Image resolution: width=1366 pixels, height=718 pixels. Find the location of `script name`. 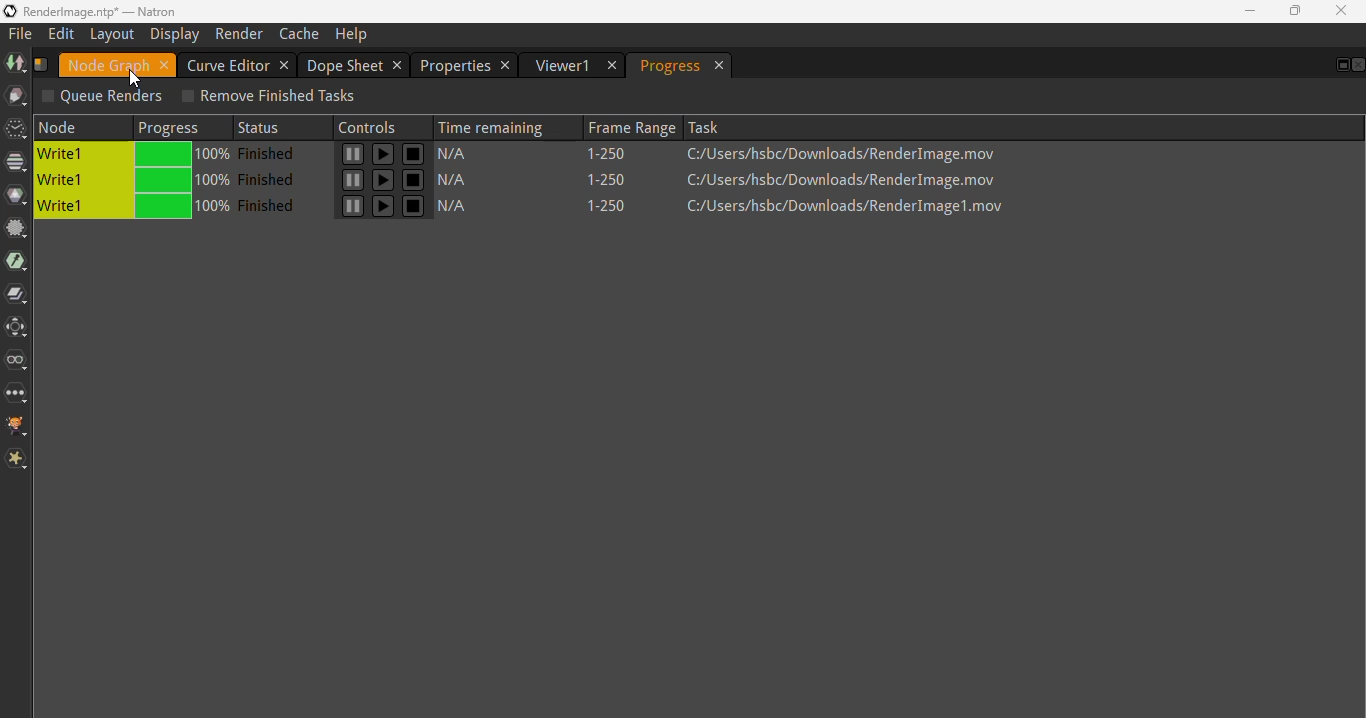

script name is located at coordinates (41, 63).